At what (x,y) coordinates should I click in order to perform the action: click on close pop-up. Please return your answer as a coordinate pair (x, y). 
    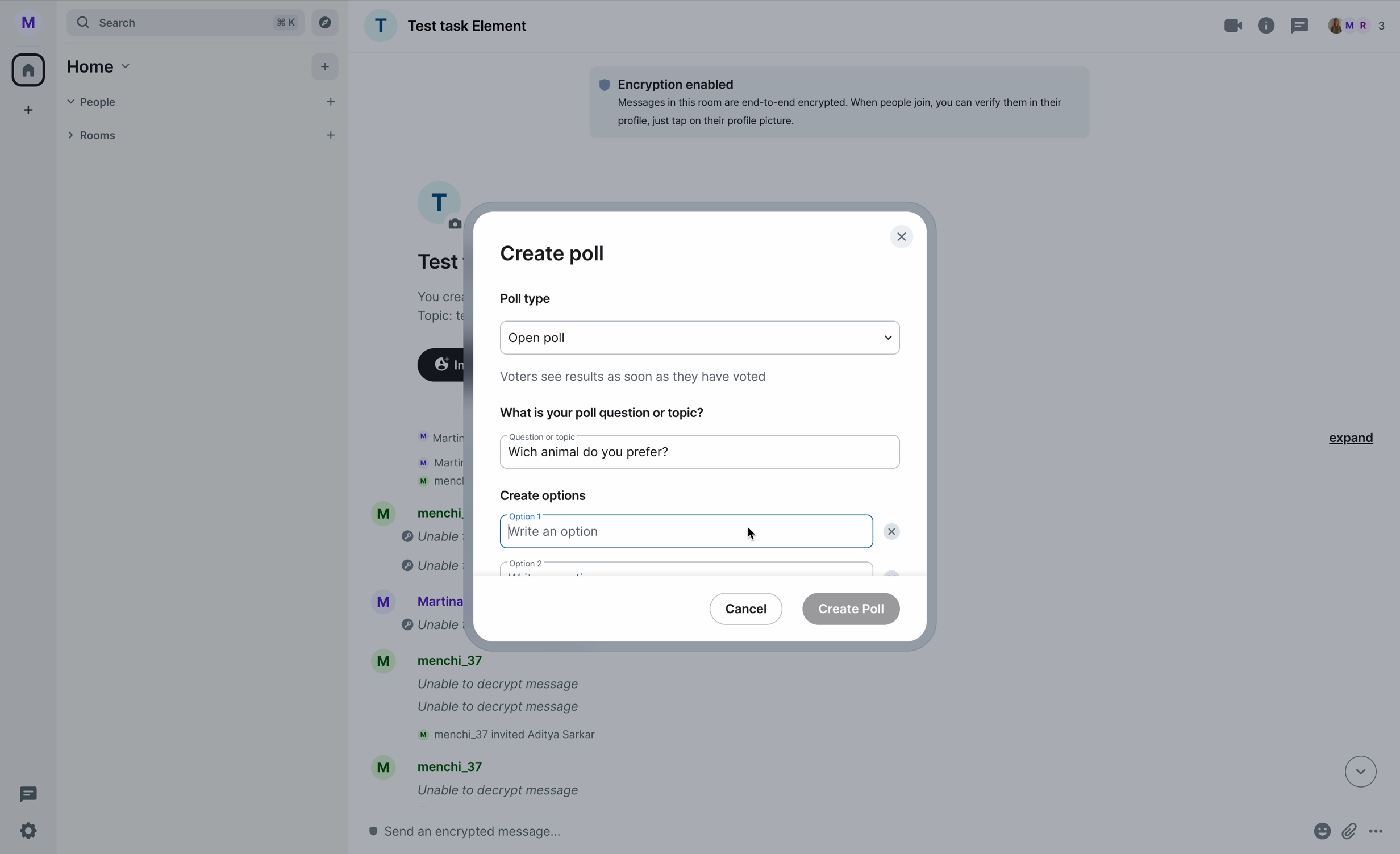
    Looking at the image, I should click on (903, 238).